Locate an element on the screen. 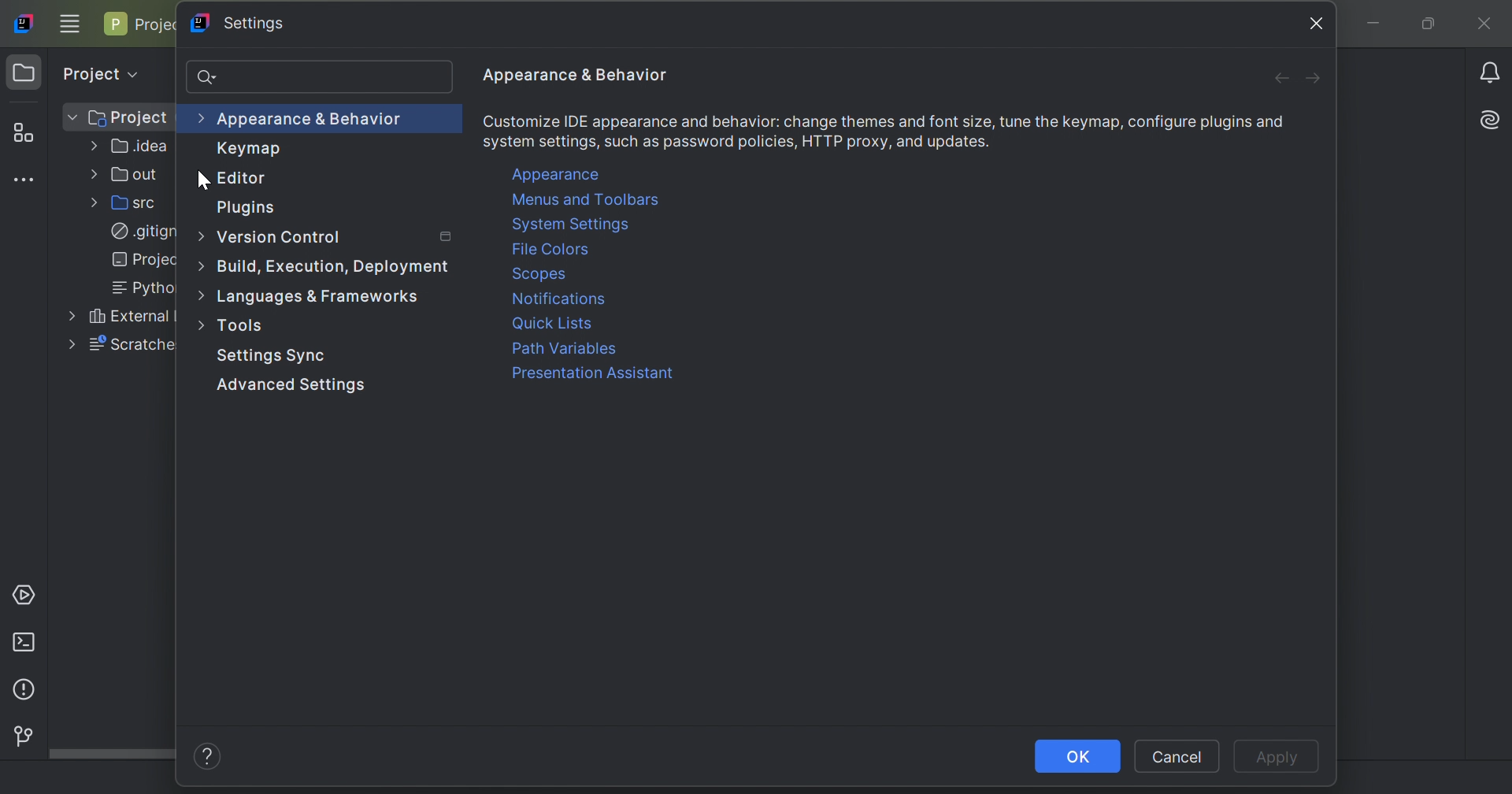 This screenshot has width=1512, height=794. Notifications is located at coordinates (1492, 72).